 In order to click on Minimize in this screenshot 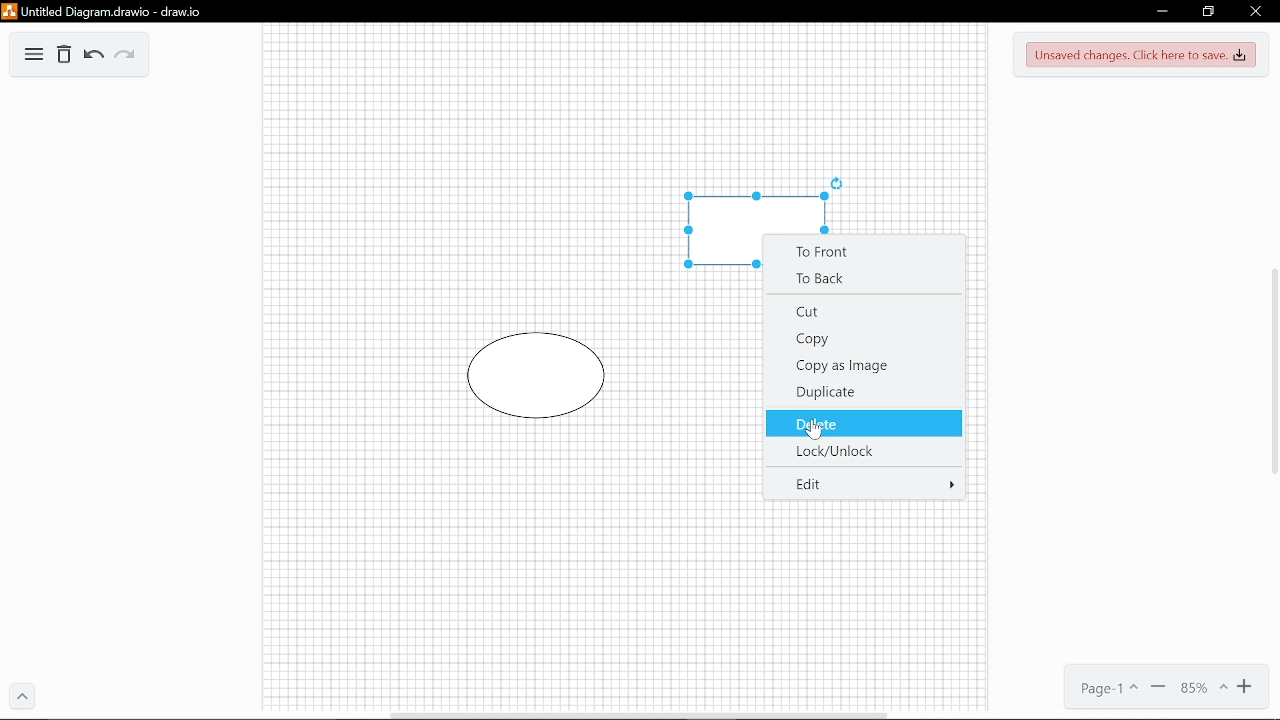, I will do `click(1159, 13)`.